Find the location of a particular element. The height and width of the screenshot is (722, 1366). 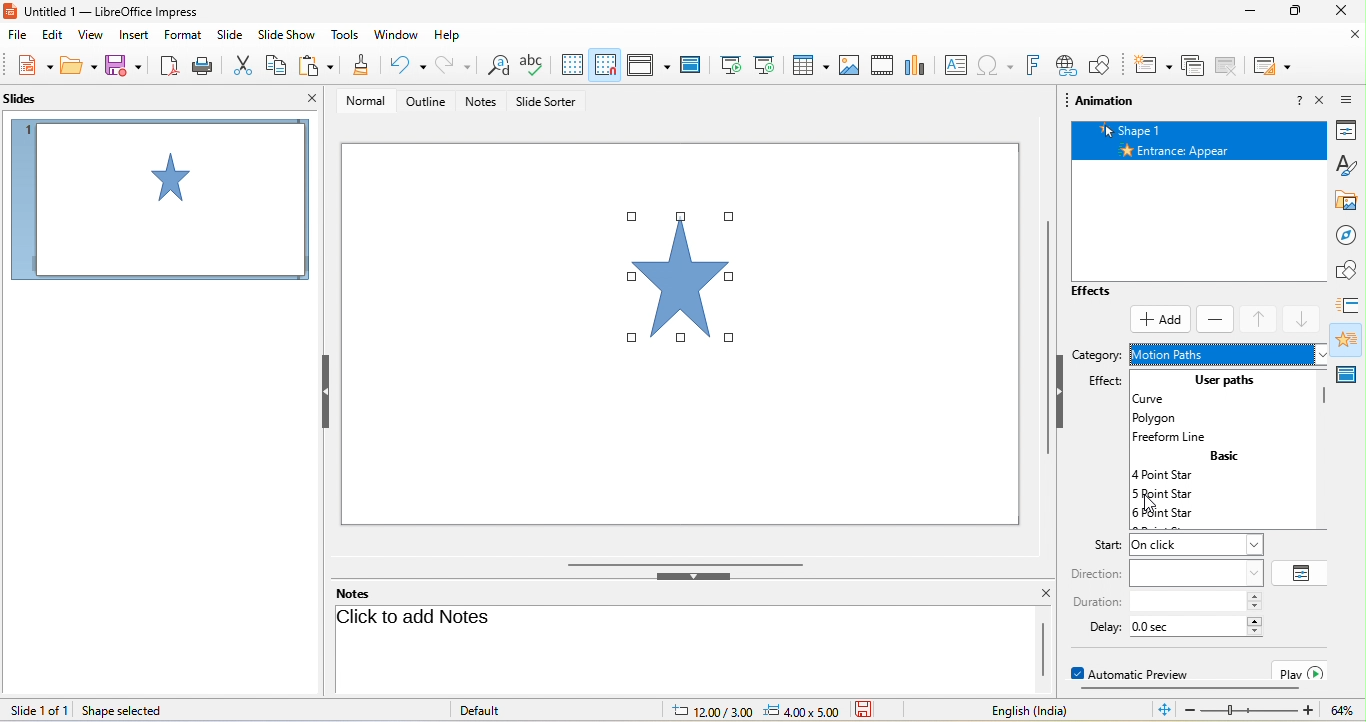

open is located at coordinates (78, 66).